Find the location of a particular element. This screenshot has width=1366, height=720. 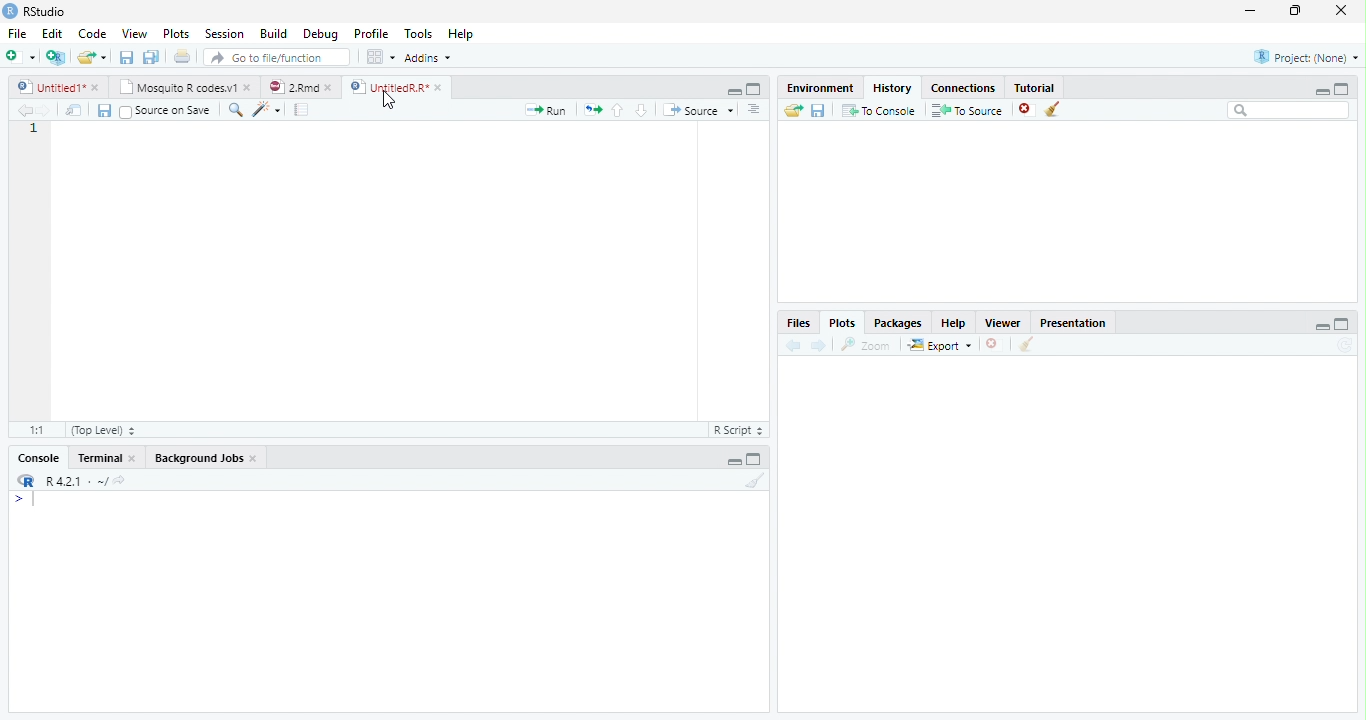

UntitiledR.R is located at coordinates (400, 86).